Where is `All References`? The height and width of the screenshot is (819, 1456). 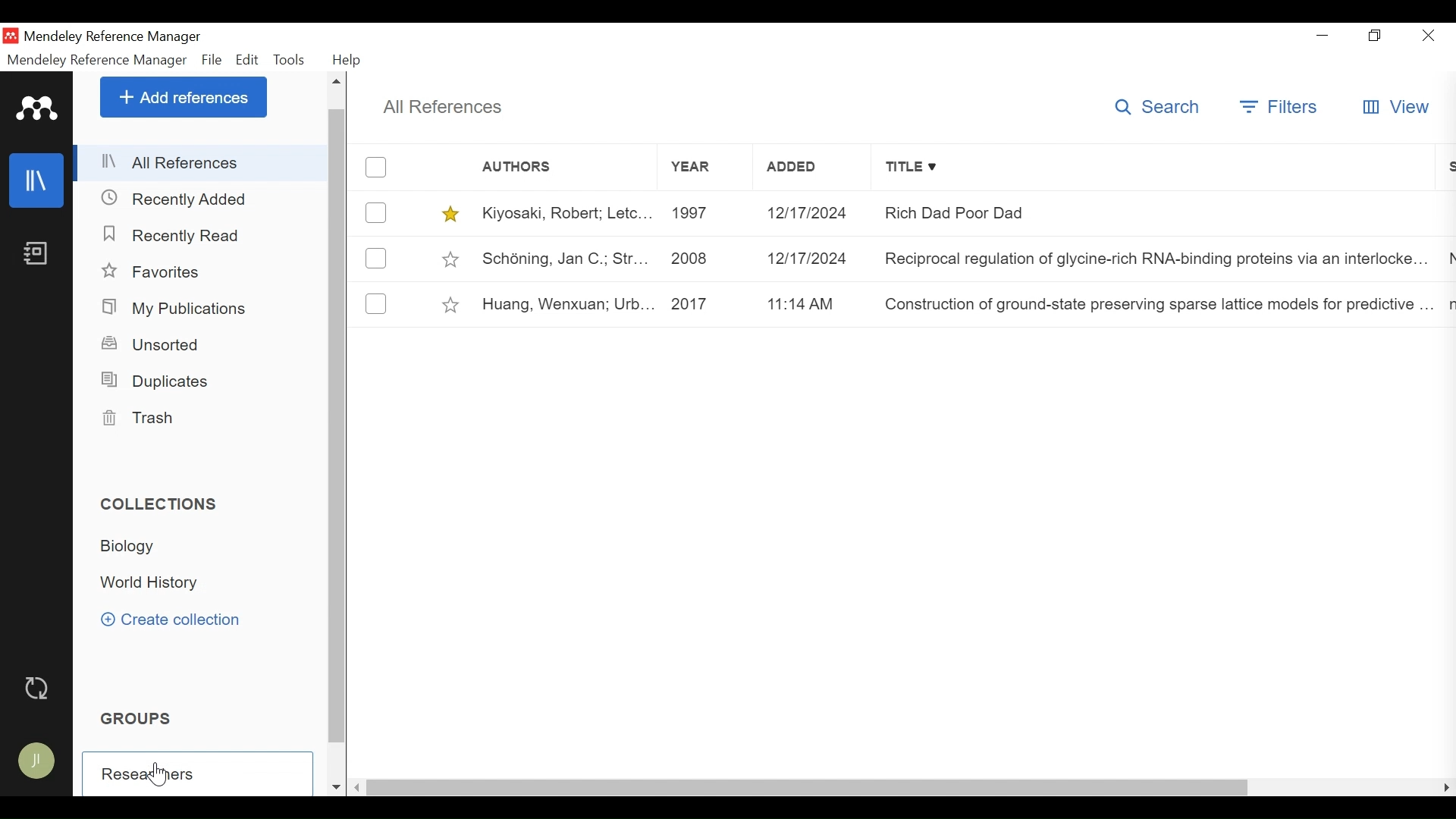 All References is located at coordinates (202, 162).